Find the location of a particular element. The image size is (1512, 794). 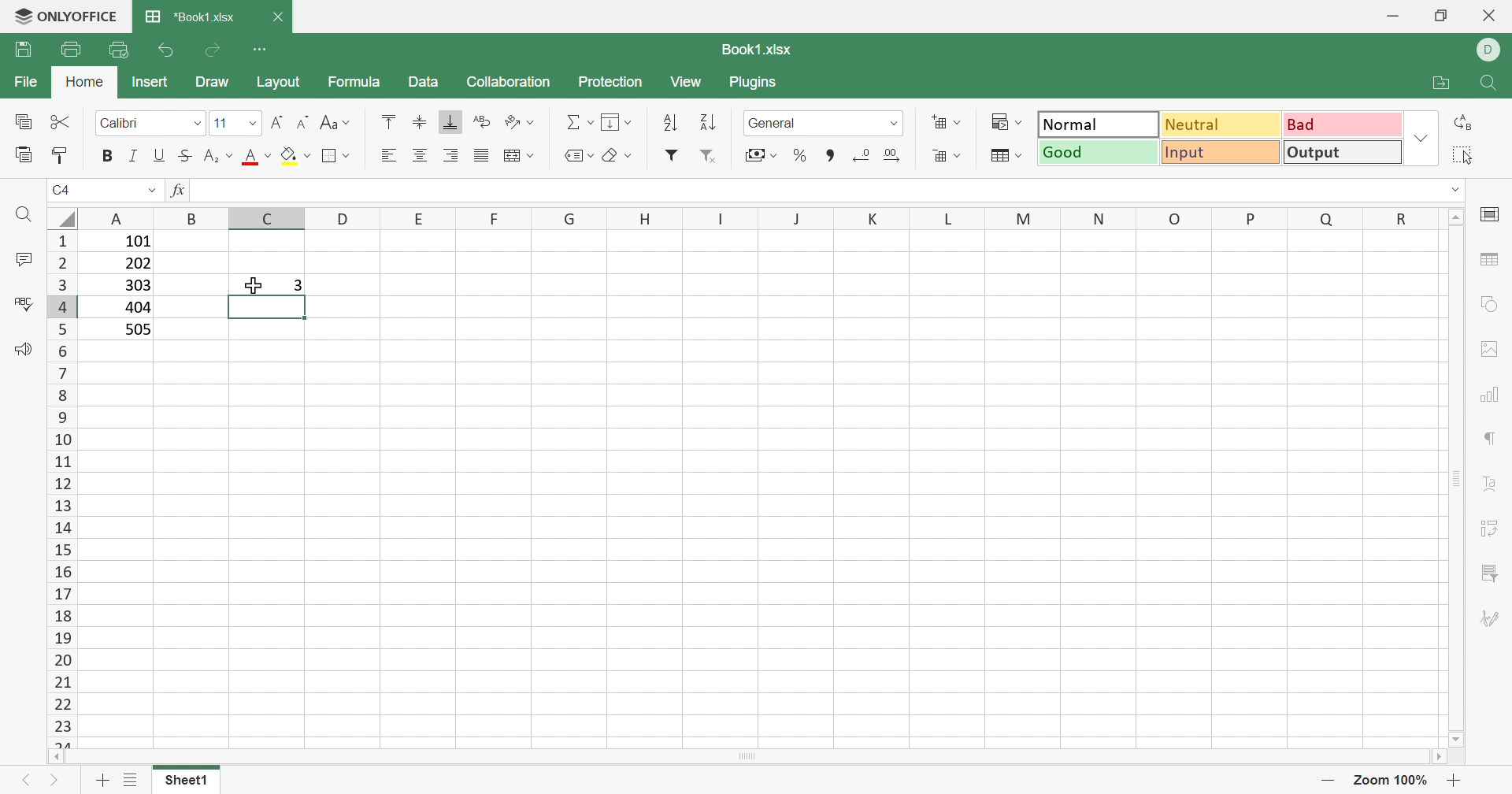

Print is located at coordinates (72, 48).